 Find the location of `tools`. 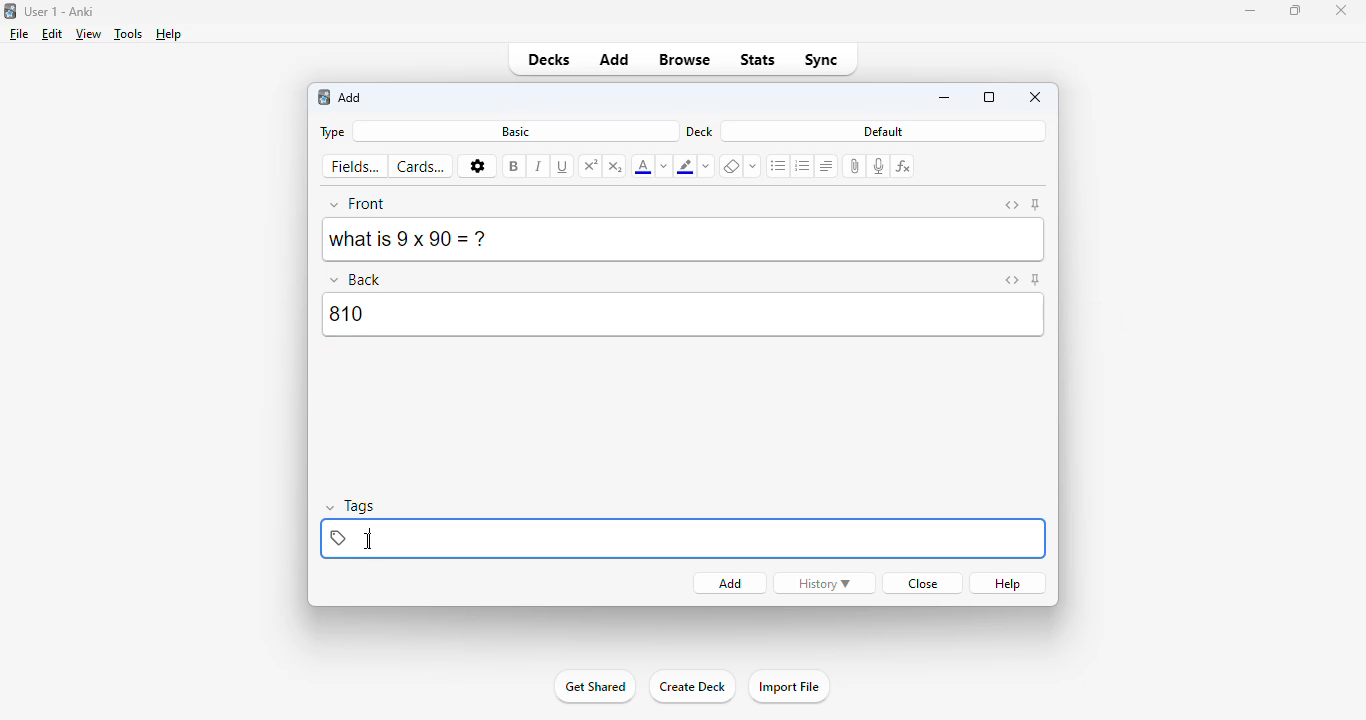

tools is located at coordinates (129, 34).